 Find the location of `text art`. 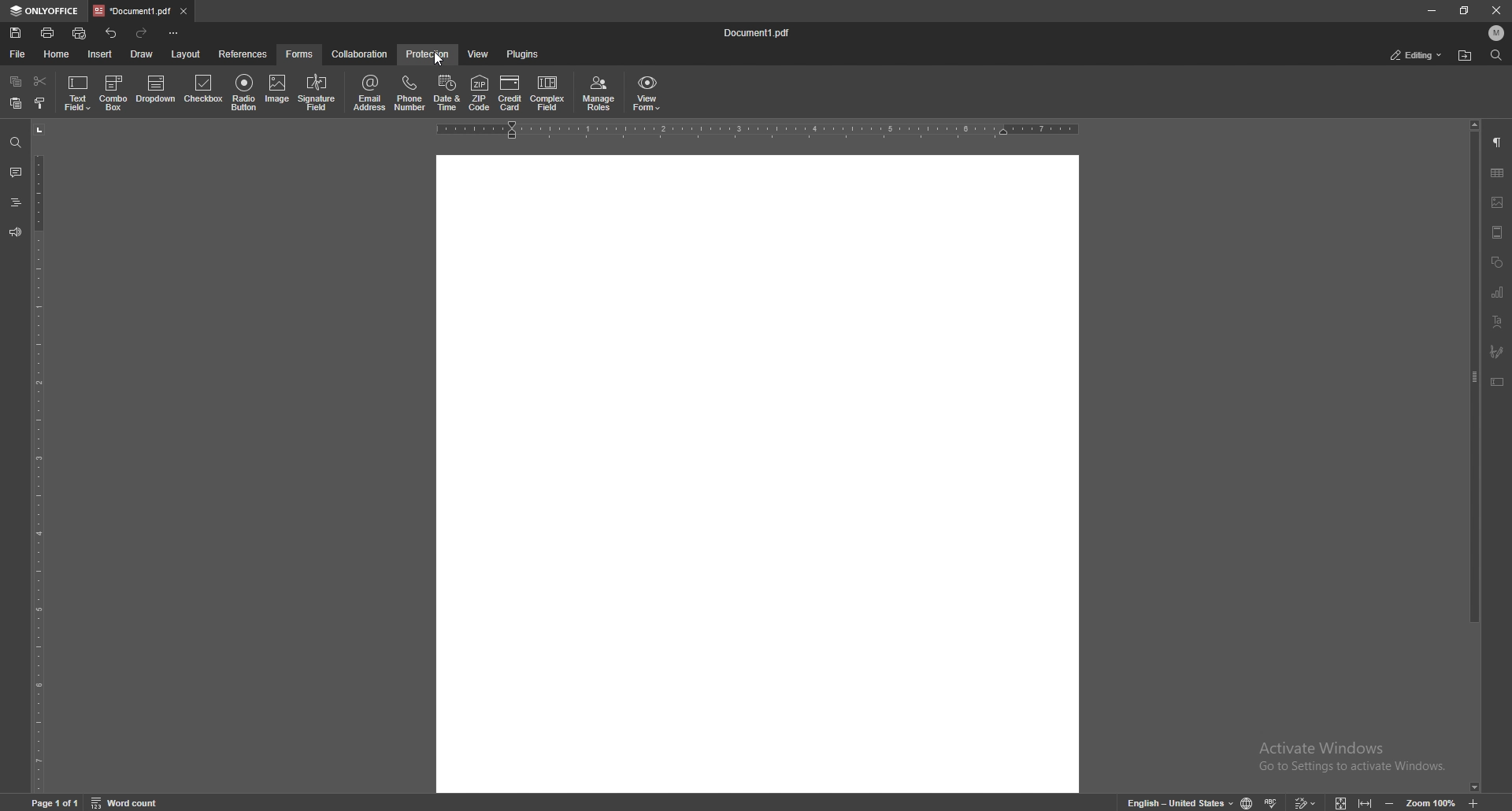

text art is located at coordinates (1497, 323).